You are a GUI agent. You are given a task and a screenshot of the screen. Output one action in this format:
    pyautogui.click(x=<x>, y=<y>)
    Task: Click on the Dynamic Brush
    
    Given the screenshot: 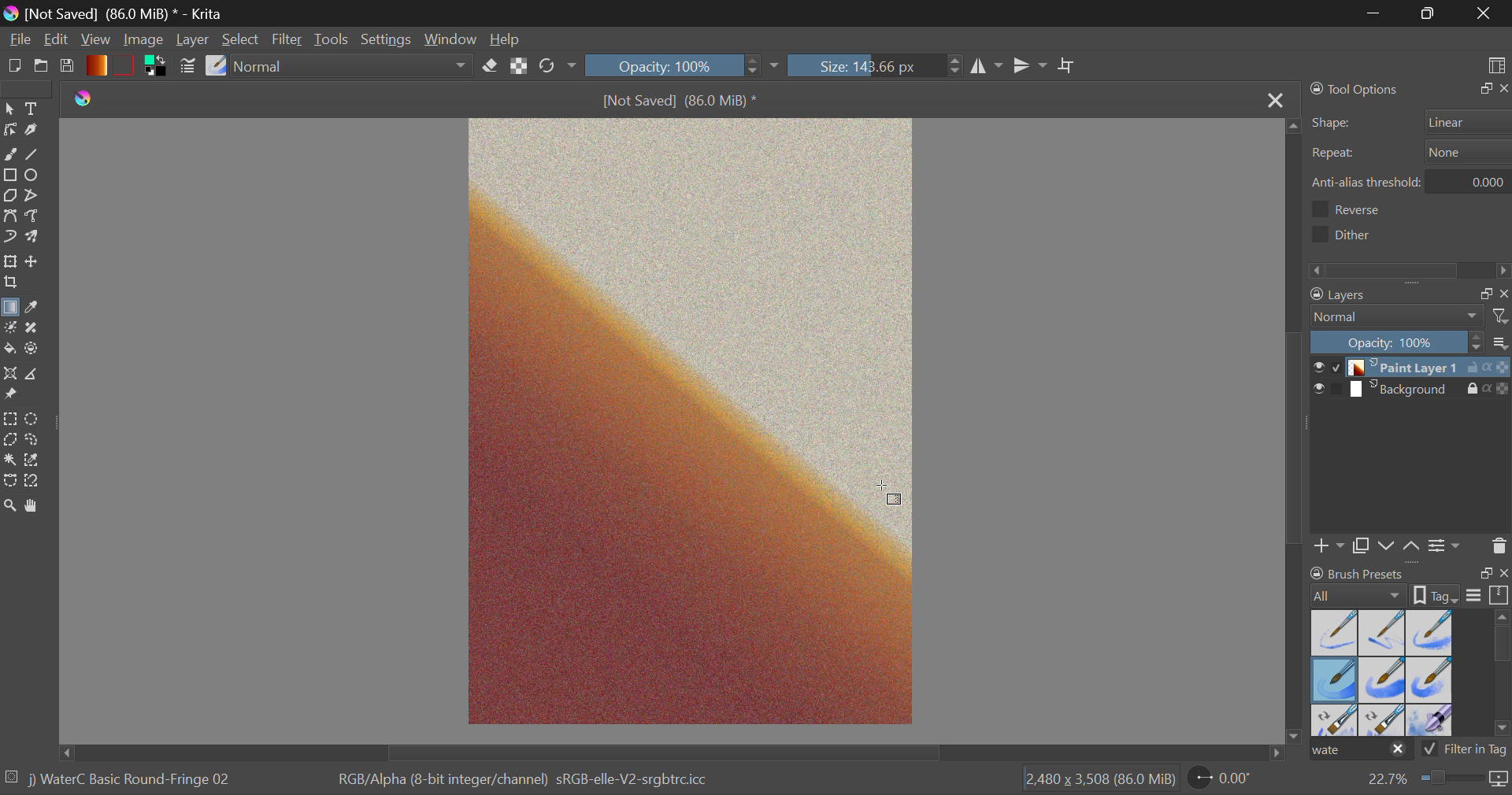 What is the action you would take?
    pyautogui.click(x=9, y=236)
    